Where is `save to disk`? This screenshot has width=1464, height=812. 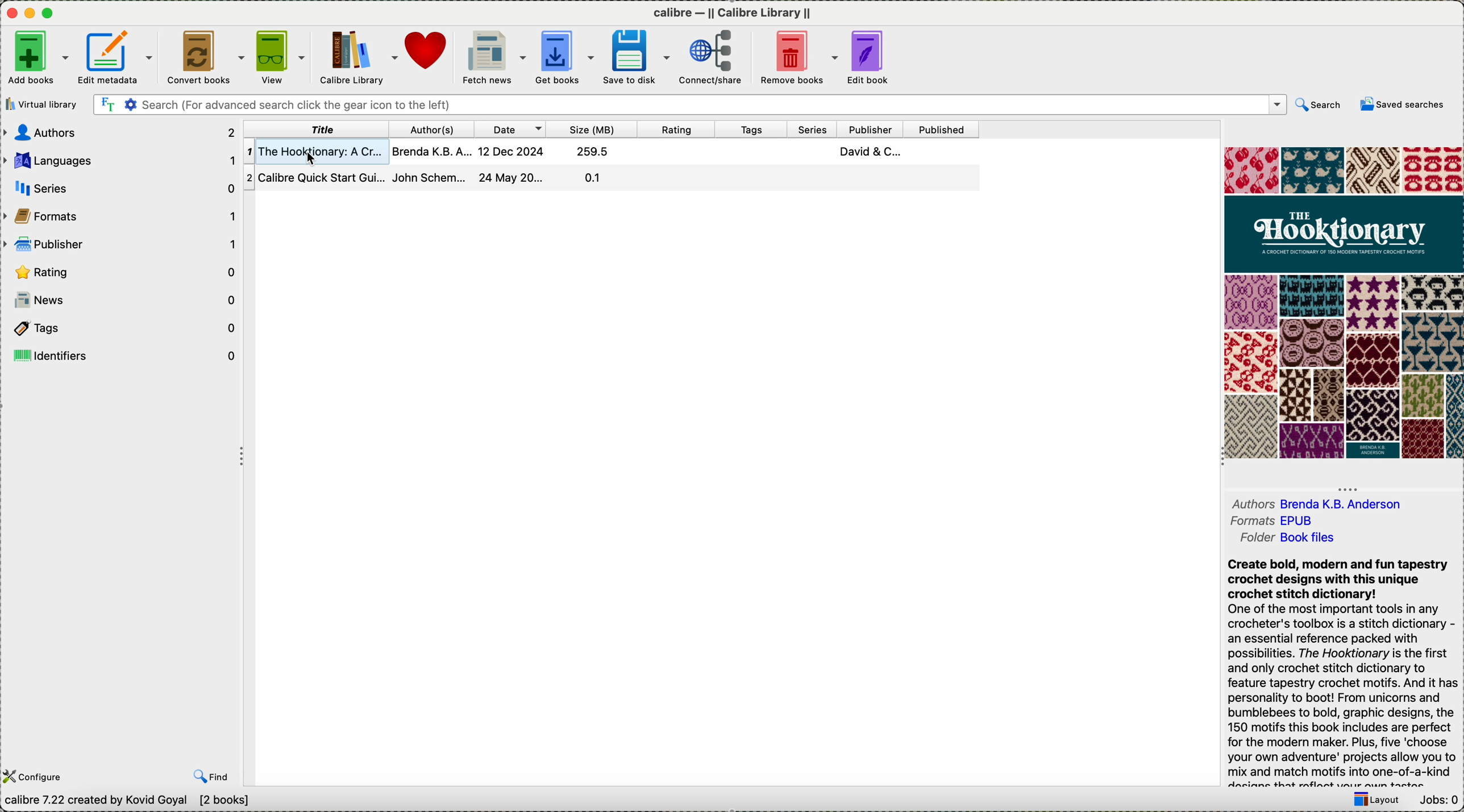
save to disk is located at coordinates (636, 56).